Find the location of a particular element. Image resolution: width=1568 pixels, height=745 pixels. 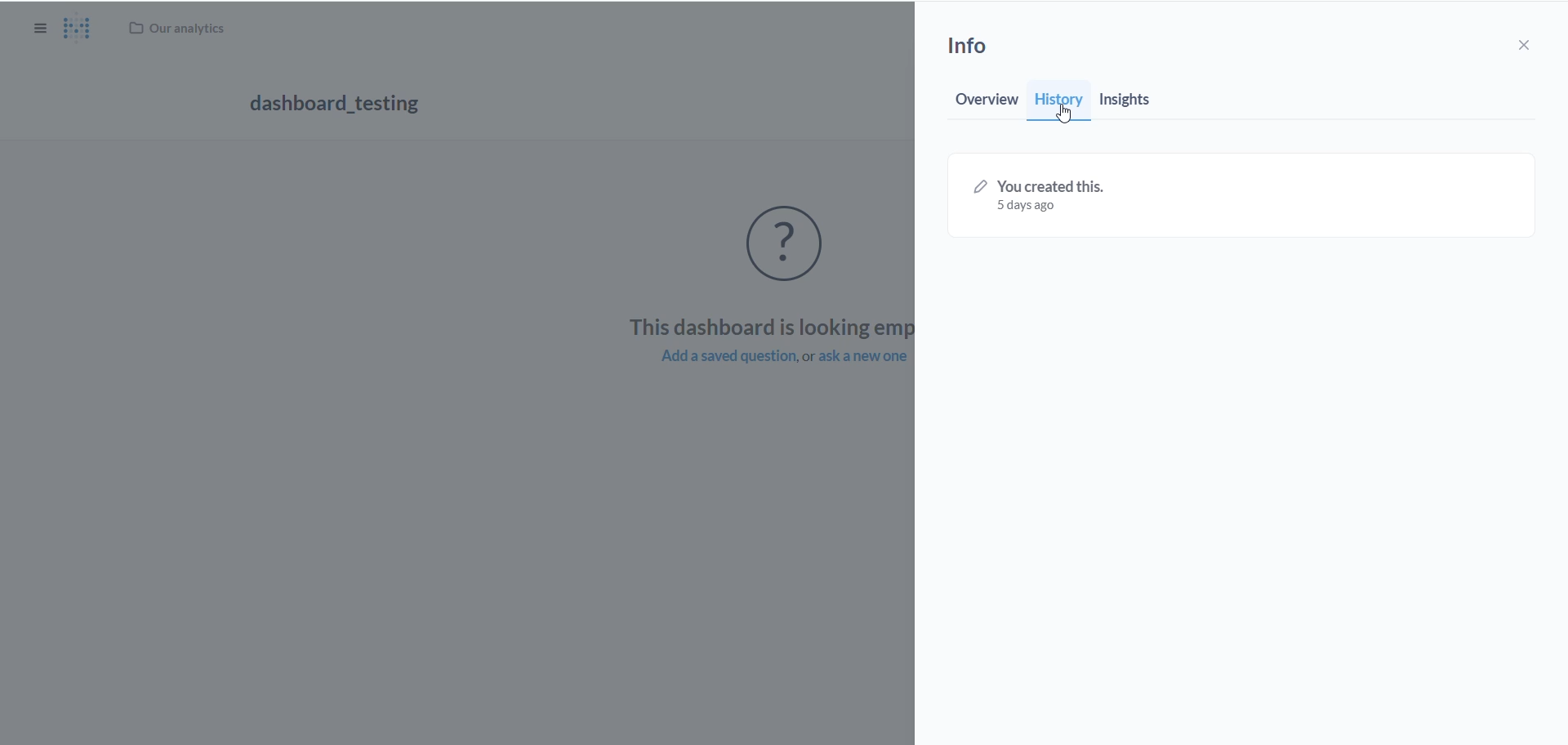

overview is located at coordinates (984, 105).